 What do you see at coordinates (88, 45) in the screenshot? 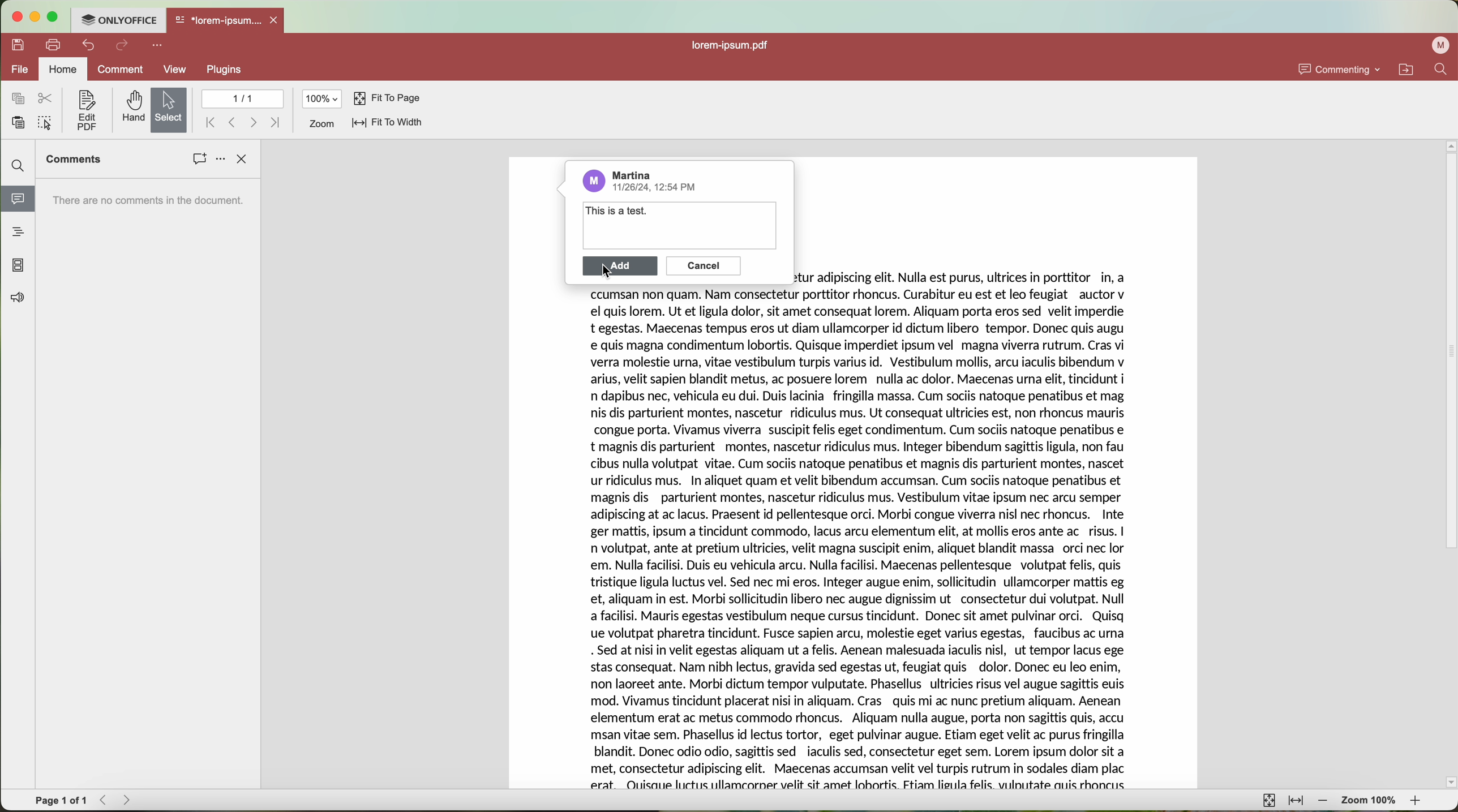
I see `undo` at bounding box center [88, 45].